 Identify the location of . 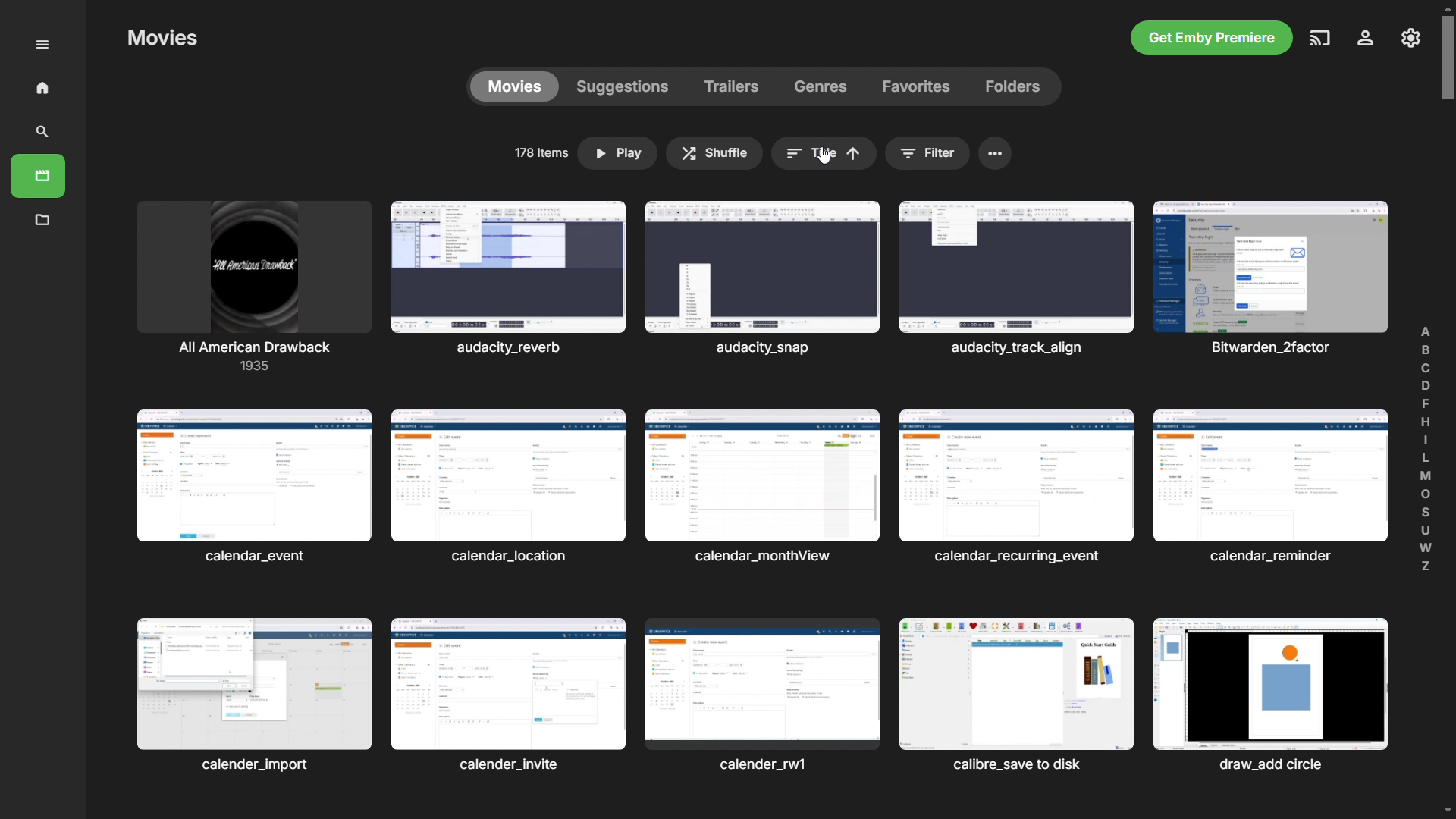
(1018, 488).